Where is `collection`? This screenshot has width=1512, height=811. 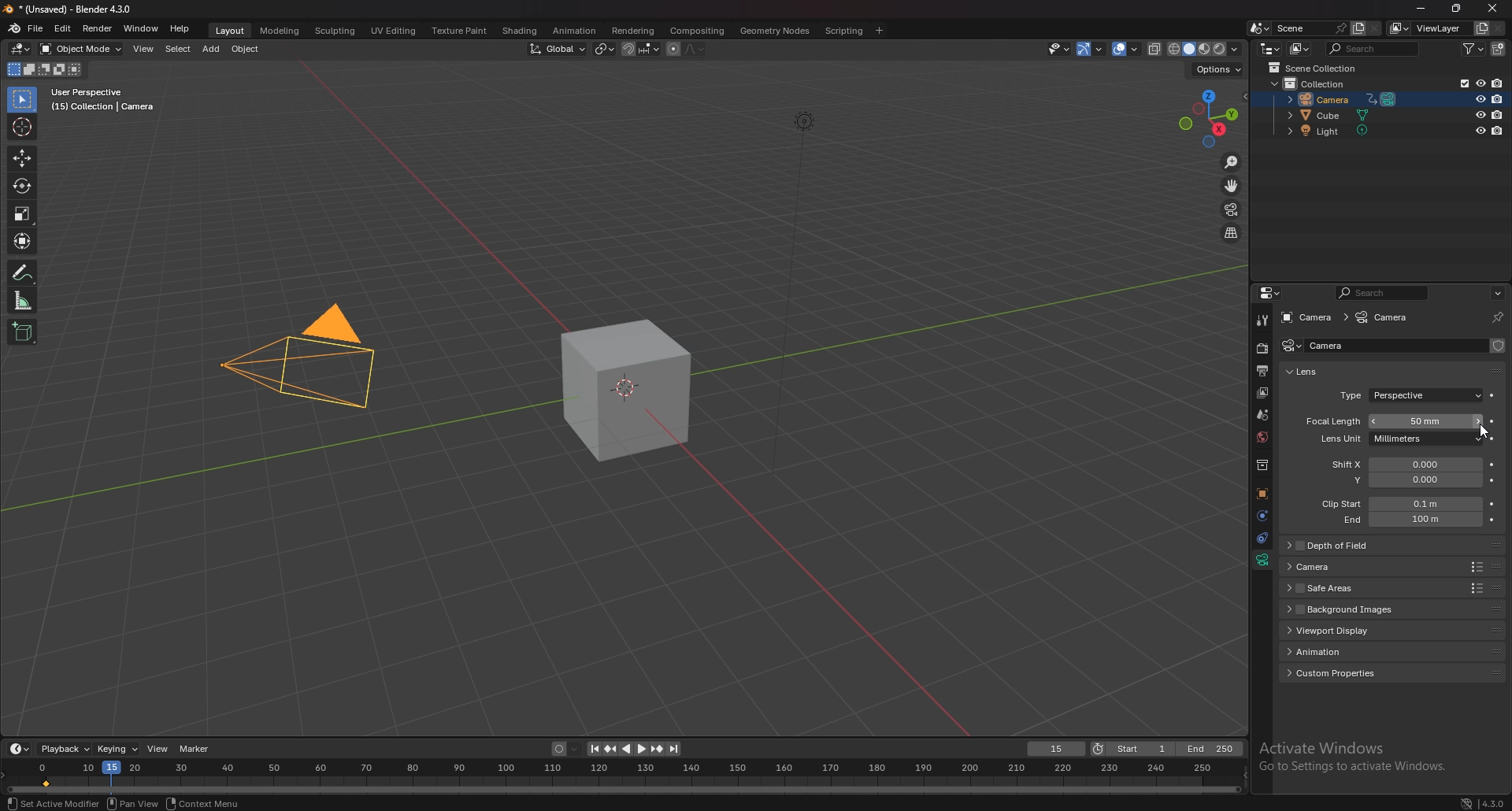 collection is located at coordinates (1315, 83).